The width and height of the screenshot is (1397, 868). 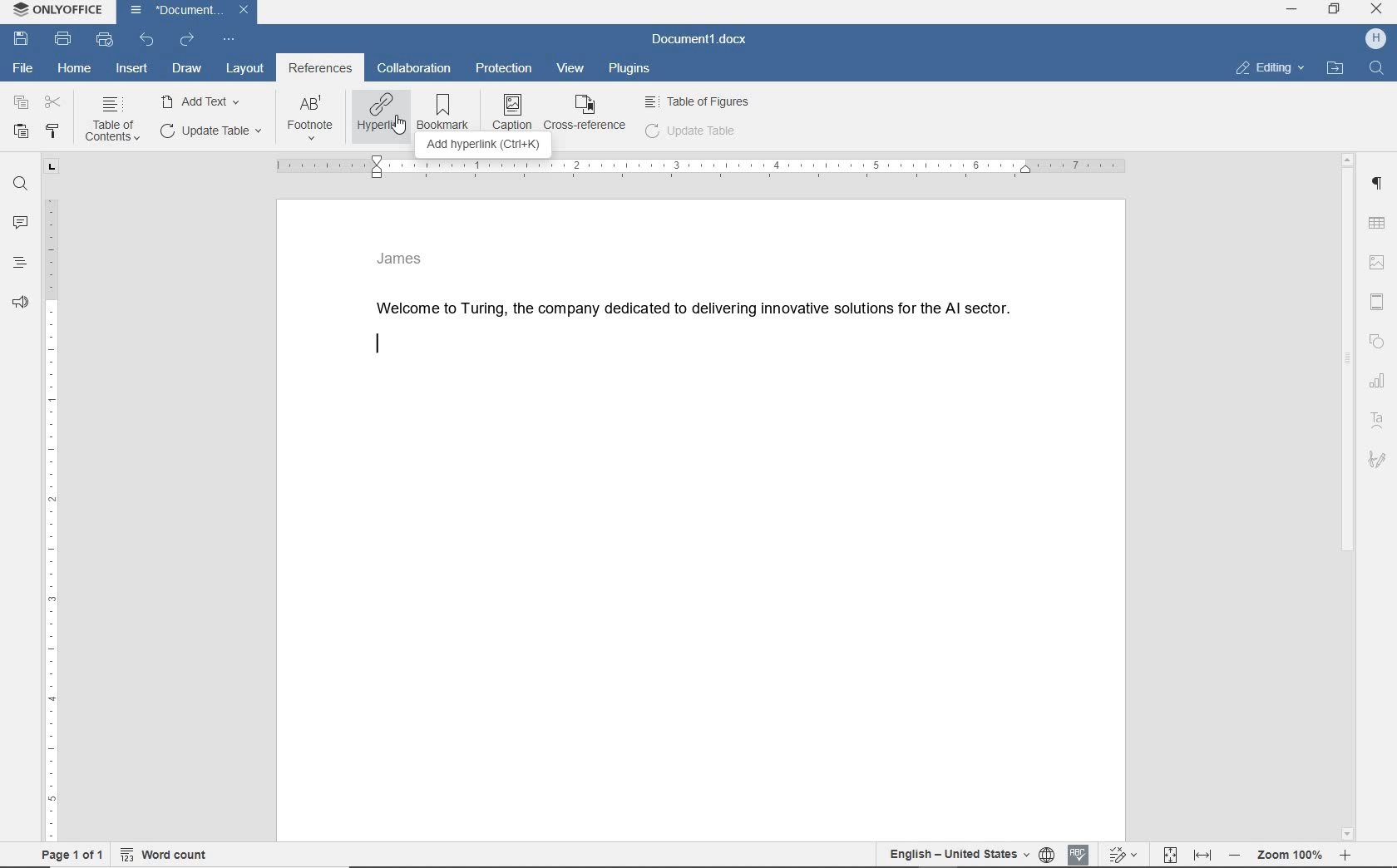 I want to click on zoom in, so click(x=1350, y=856).